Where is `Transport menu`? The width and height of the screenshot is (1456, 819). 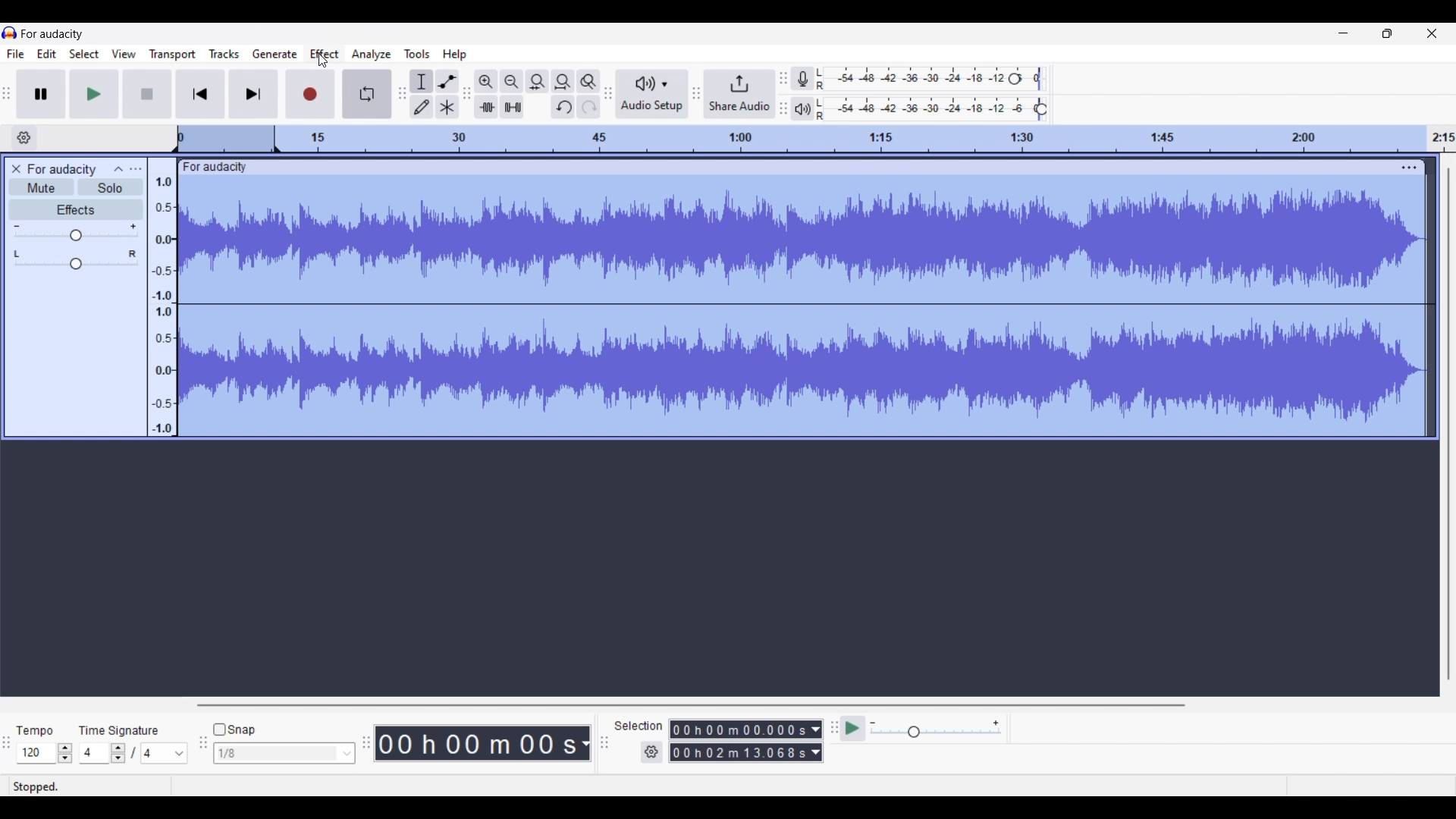 Transport menu is located at coordinates (172, 55).